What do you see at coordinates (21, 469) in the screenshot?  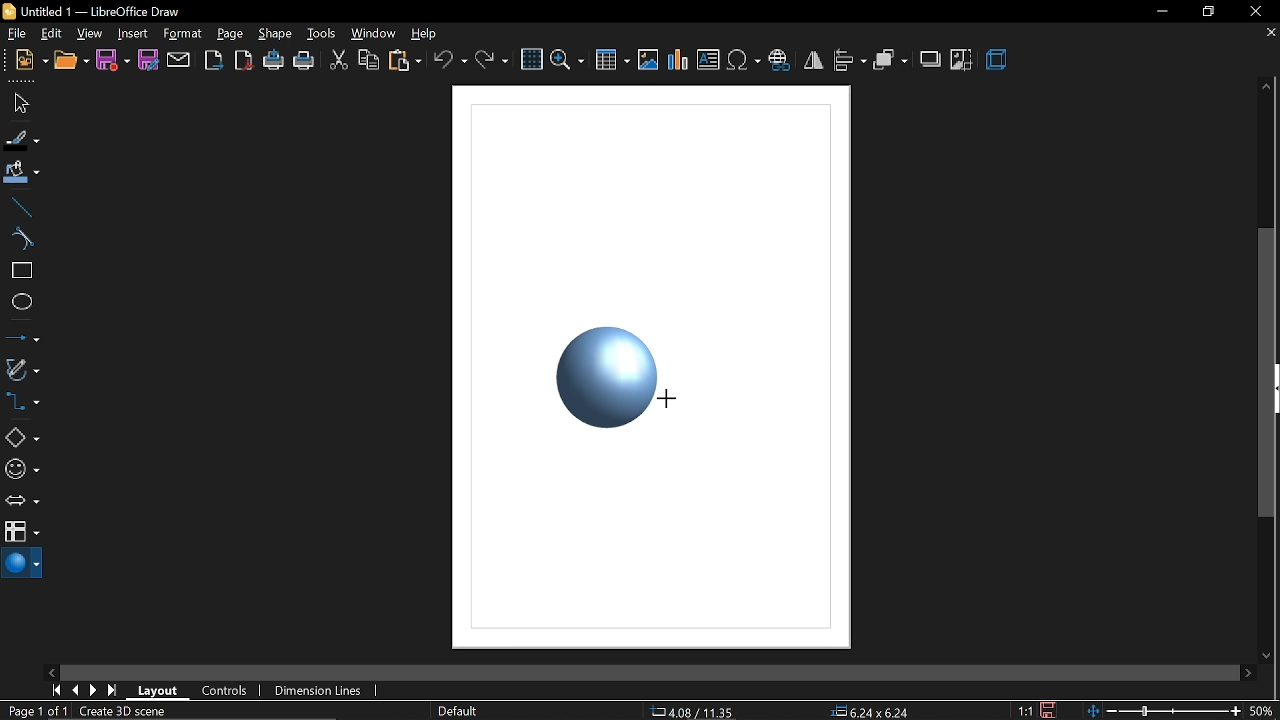 I see `symbol shapes` at bounding box center [21, 469].